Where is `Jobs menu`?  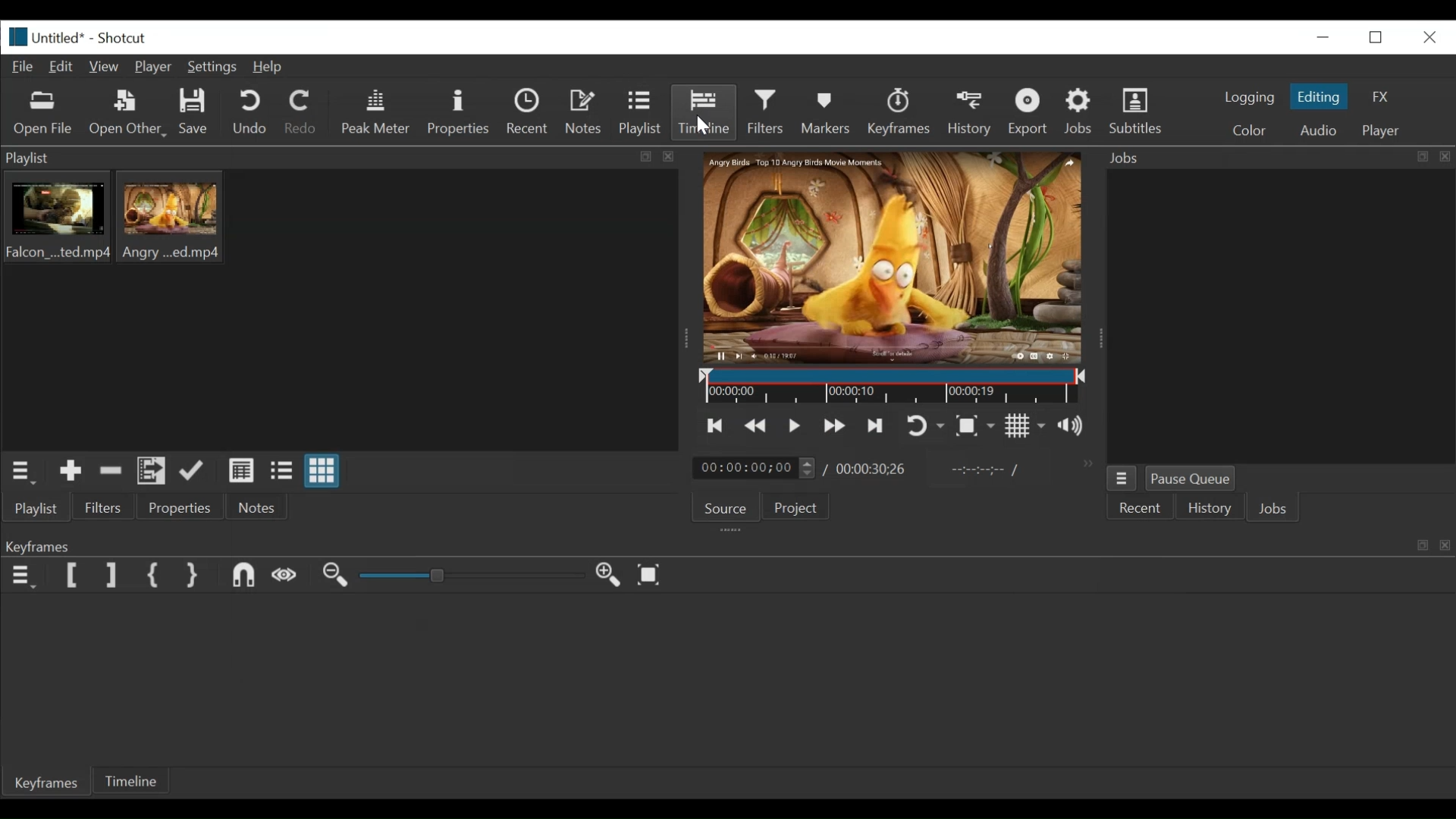 Jobs menu is located at coordinates (1269, 156).